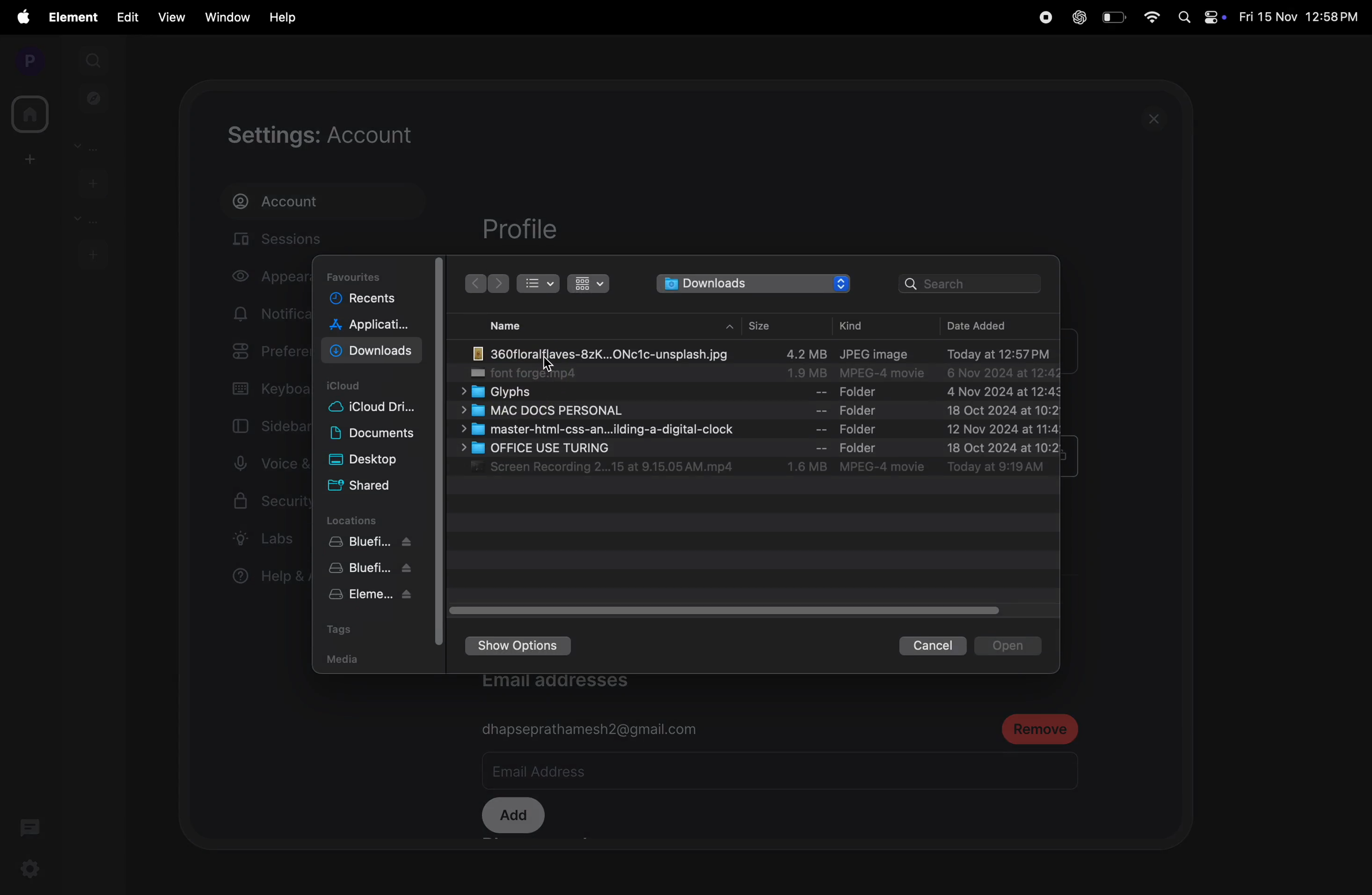  What do you see at coordinates (375, 544) in the screenshot?
I see `blue fish` at bounding box center [375, 544].